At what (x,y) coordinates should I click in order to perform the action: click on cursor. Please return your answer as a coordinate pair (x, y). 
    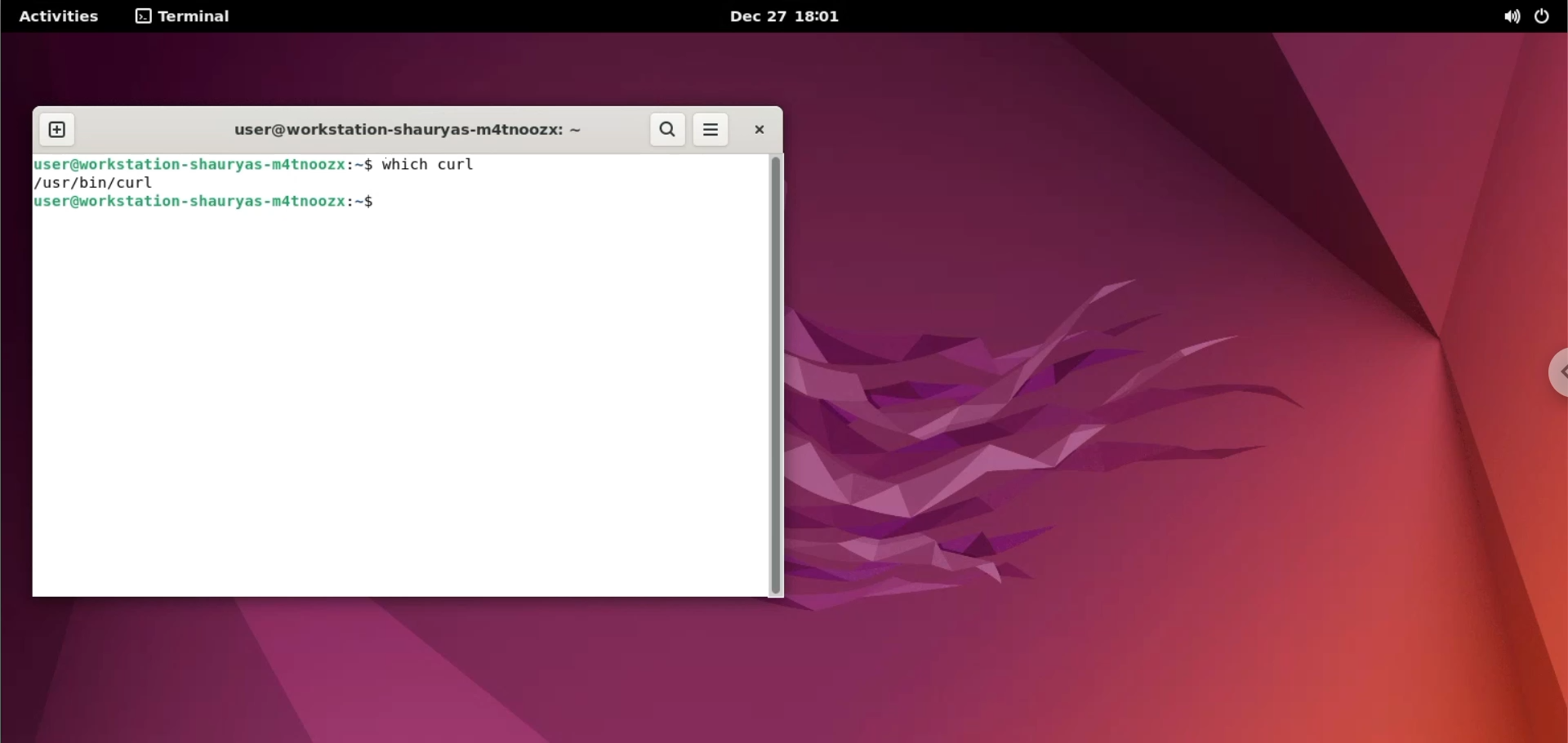
    Looking at the image, I should click on (385, 204).